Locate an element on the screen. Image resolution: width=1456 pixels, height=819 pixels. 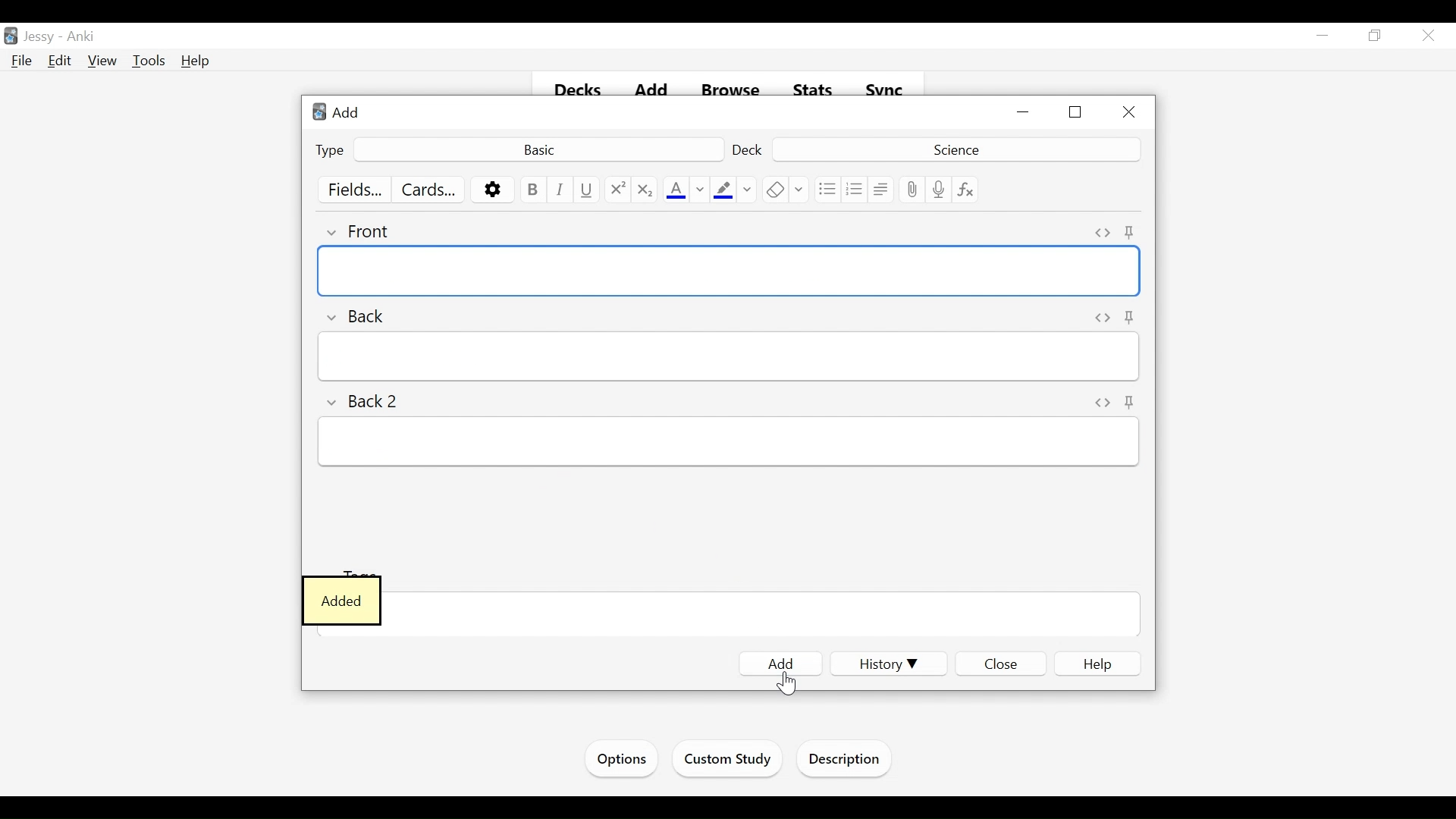
Description is located at coordinates (848, 761).